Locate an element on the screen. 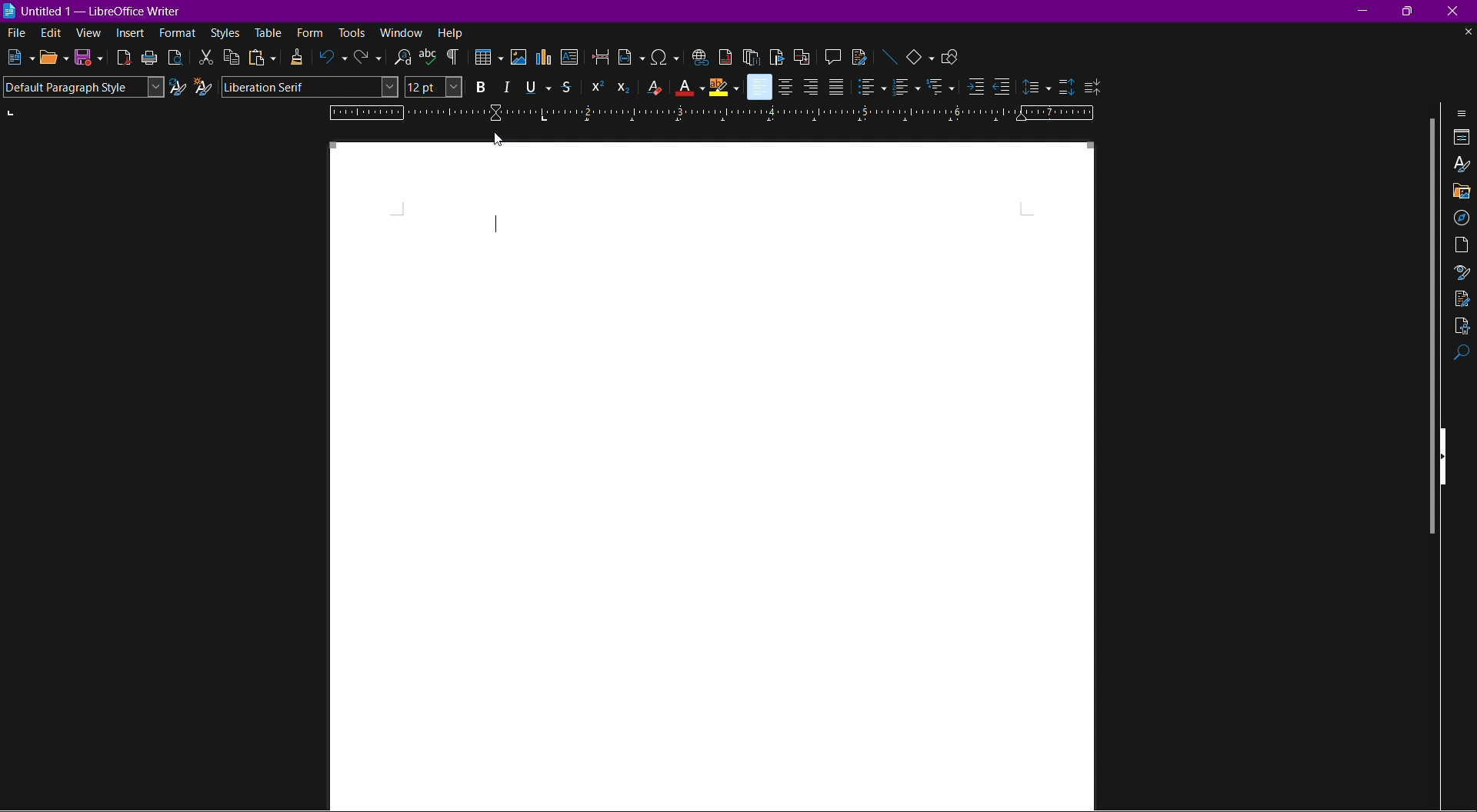 The width and height of the screenshot is (1477, 812). Insert Comment is located at coordinates (829, 55).